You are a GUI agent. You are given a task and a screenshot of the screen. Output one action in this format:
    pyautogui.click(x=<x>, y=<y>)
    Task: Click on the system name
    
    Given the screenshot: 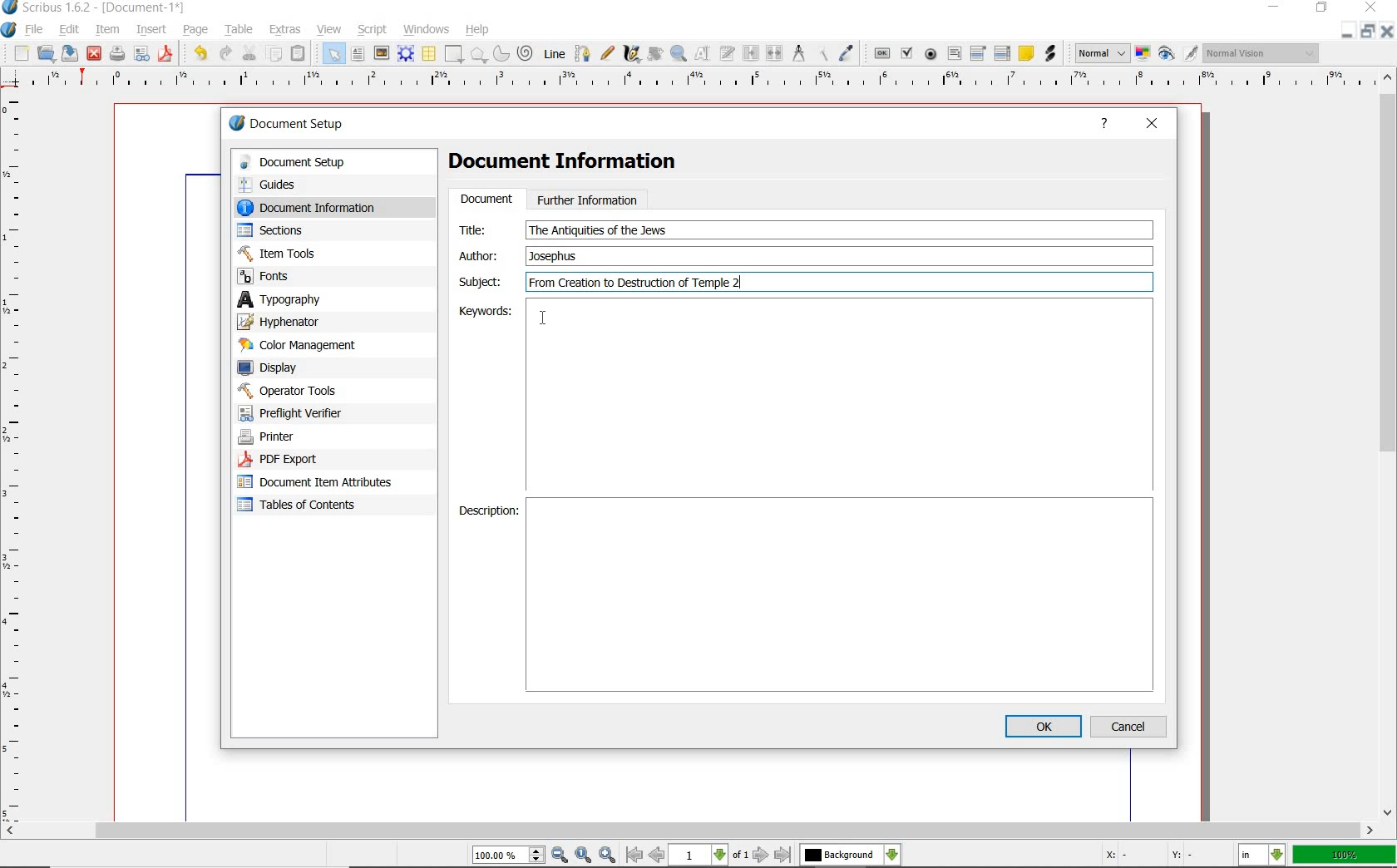 What is the action you would take?
    pyautogui.click(x=94, y=8)
    